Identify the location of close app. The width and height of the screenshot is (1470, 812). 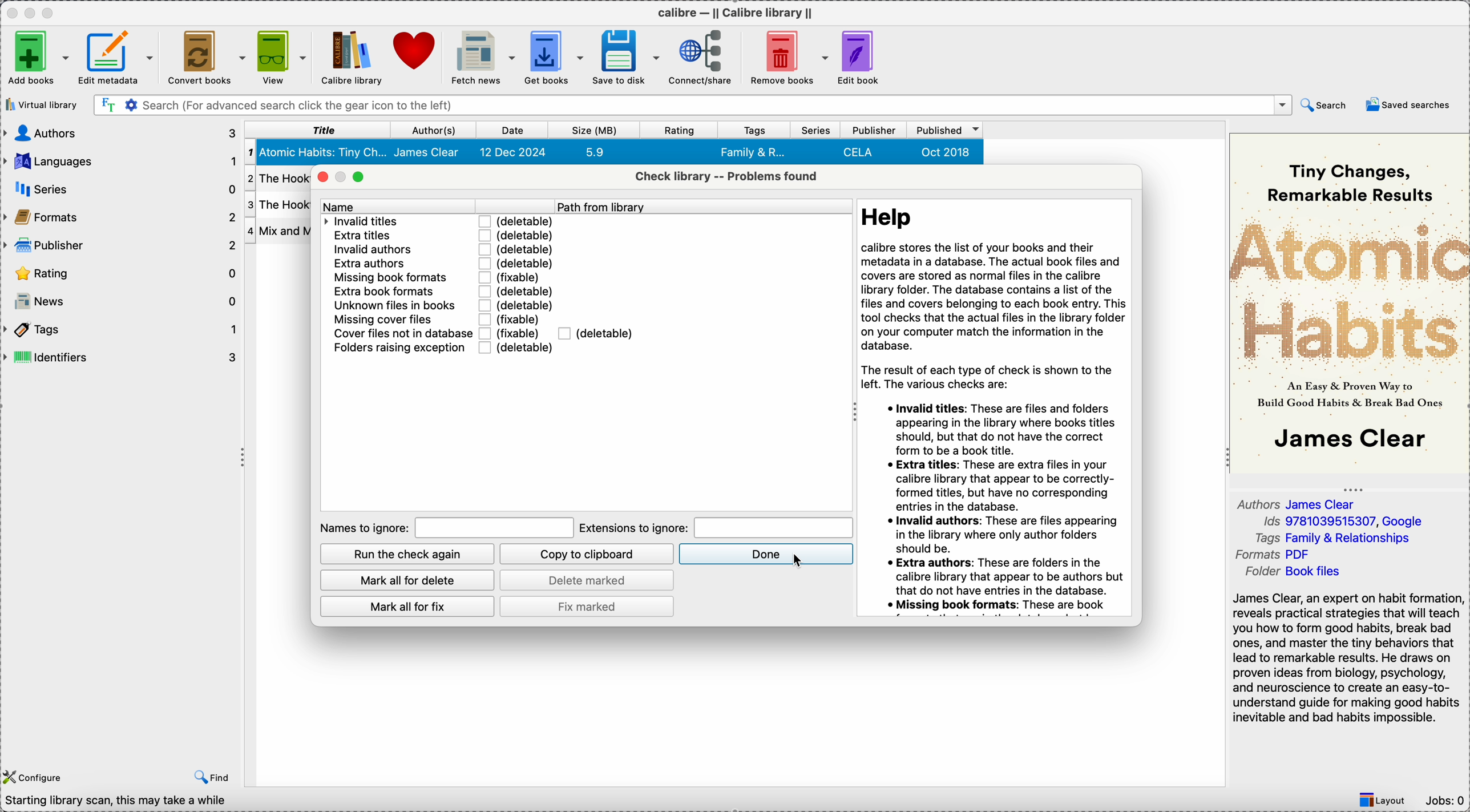
(9, 13).